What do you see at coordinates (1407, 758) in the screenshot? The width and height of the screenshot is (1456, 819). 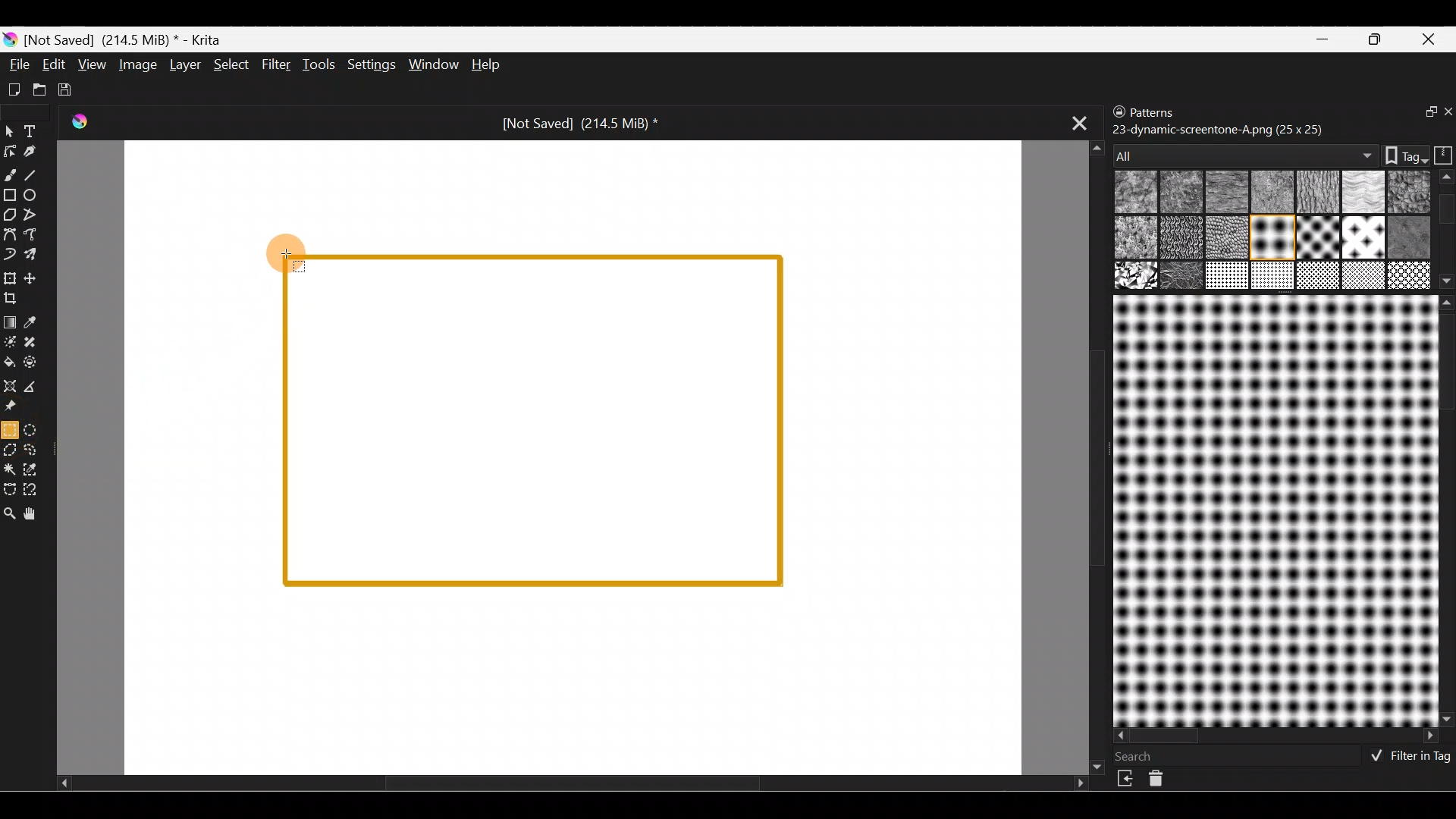 I see `Filter in tag` at bounding box center [1407, 758].